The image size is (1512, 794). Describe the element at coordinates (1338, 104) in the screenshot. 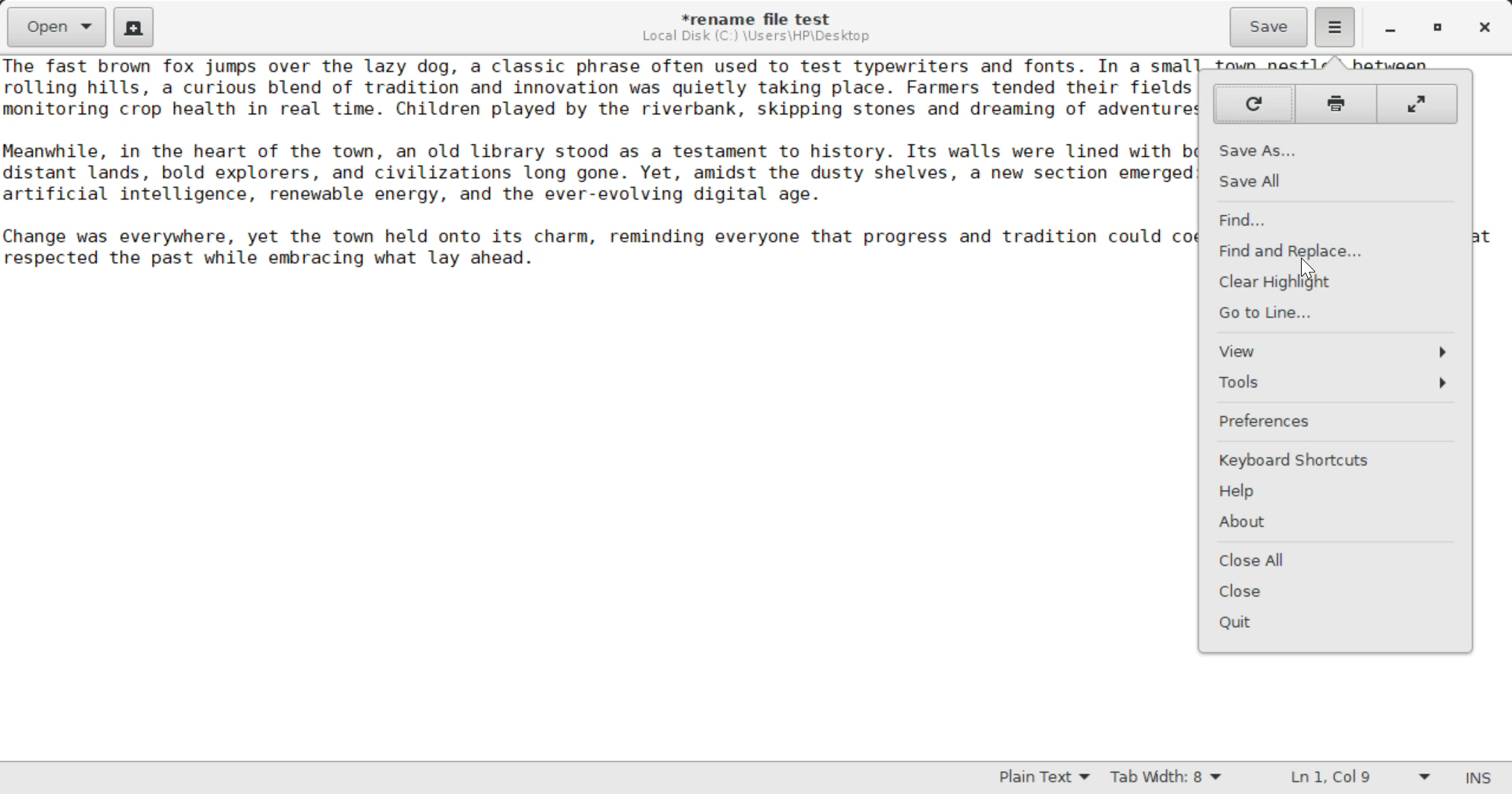

I see `Print Page` at that location.